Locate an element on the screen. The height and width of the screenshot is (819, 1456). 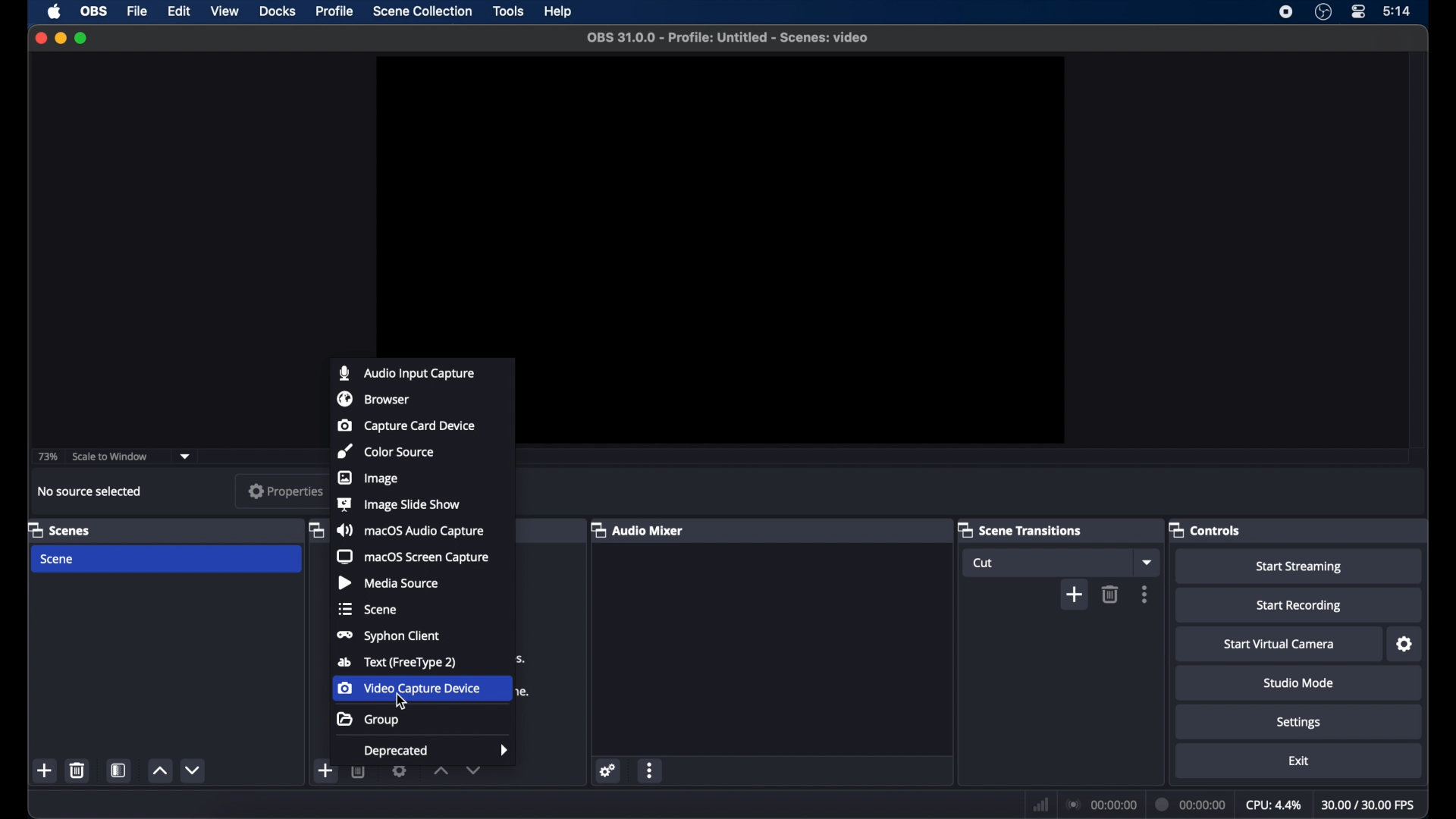
syphon client is located at coordinates (388, 636).